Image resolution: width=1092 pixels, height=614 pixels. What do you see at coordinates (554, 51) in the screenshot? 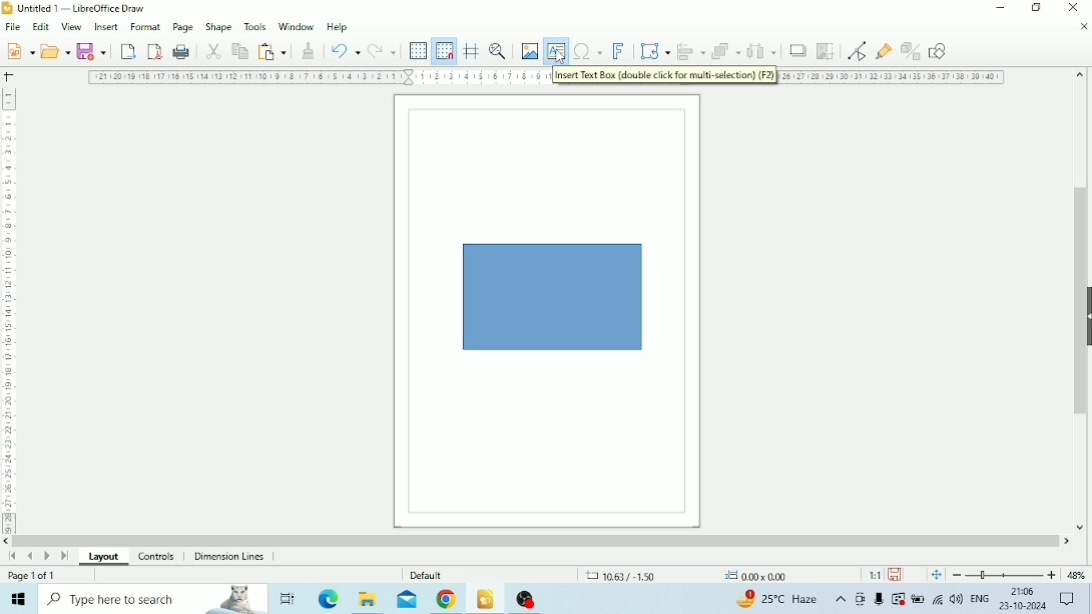
I see `Insert Text Box` at bounding box center [554, 51].